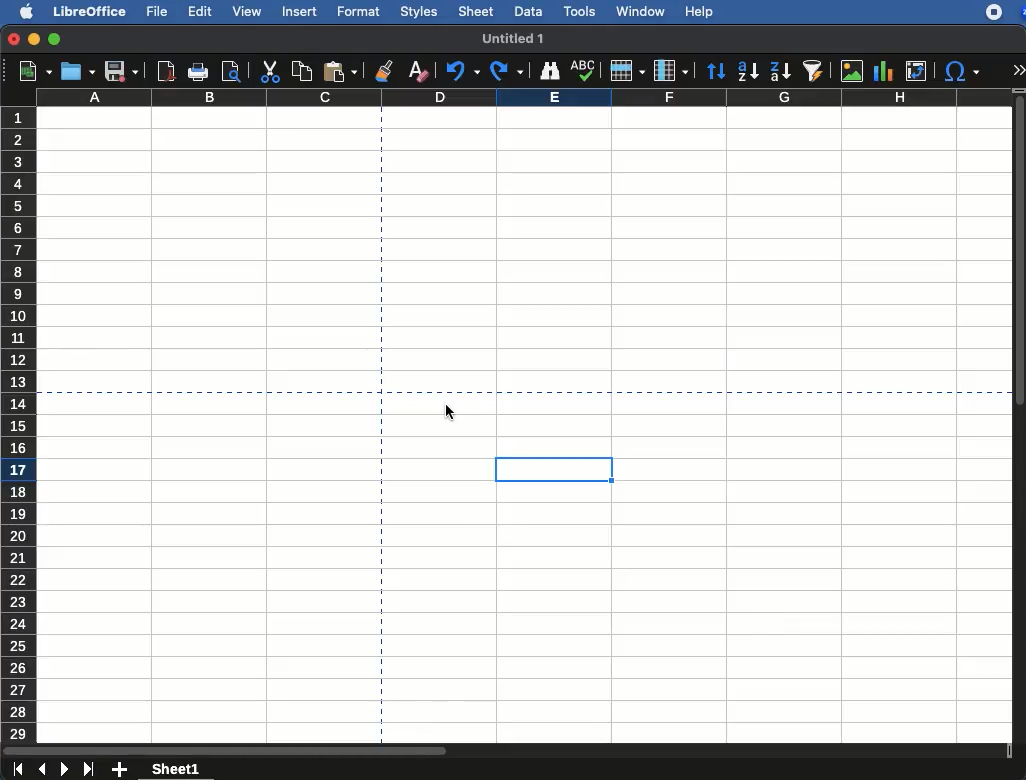  Describe the element at coordinates (814, 71) in the screenshot. I see `autofilter` at that location.